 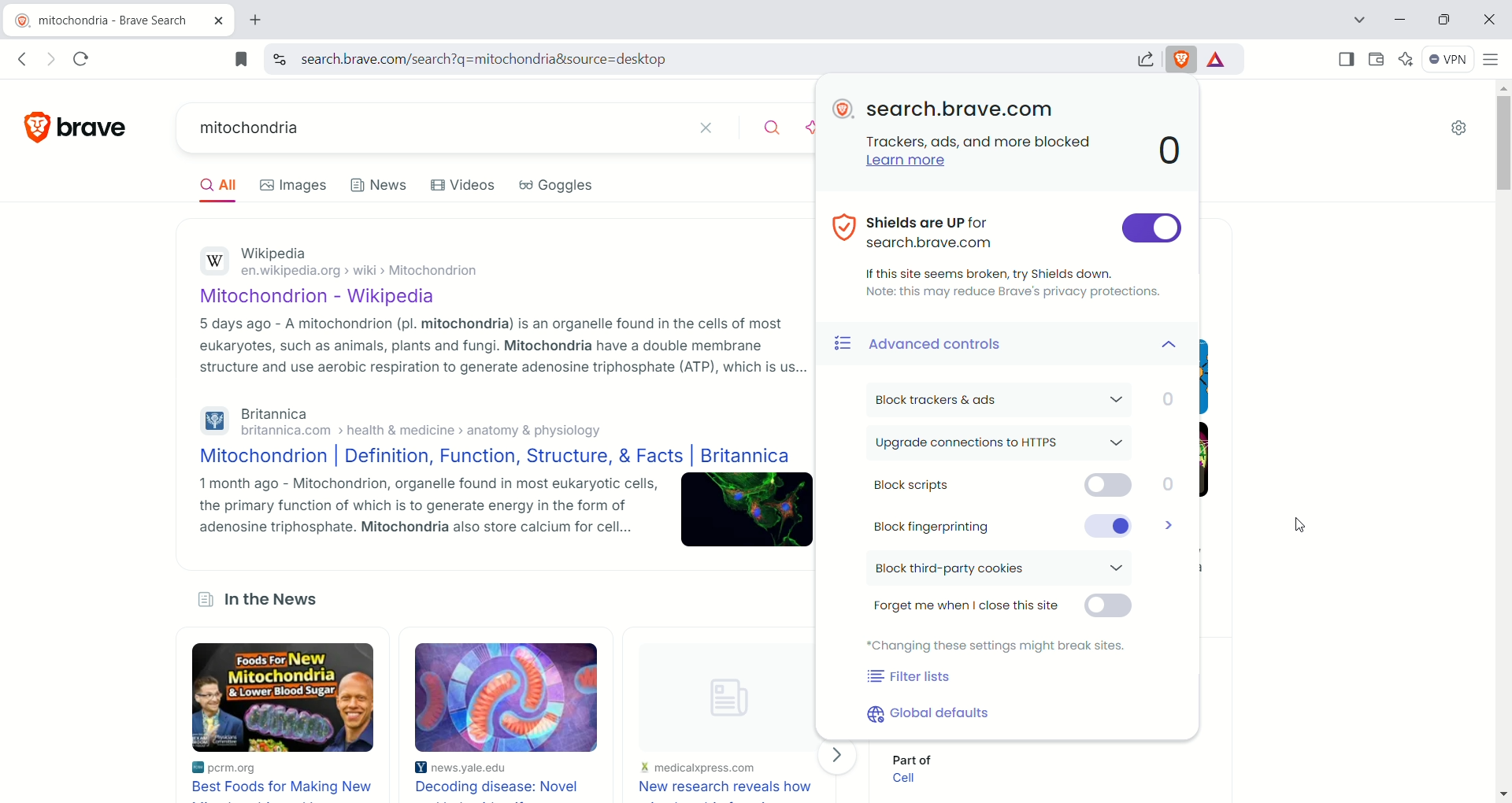 What do you see at coordinates (106, 21) in the screenshot?
I see `current tab` at bounding box center [106, 21].